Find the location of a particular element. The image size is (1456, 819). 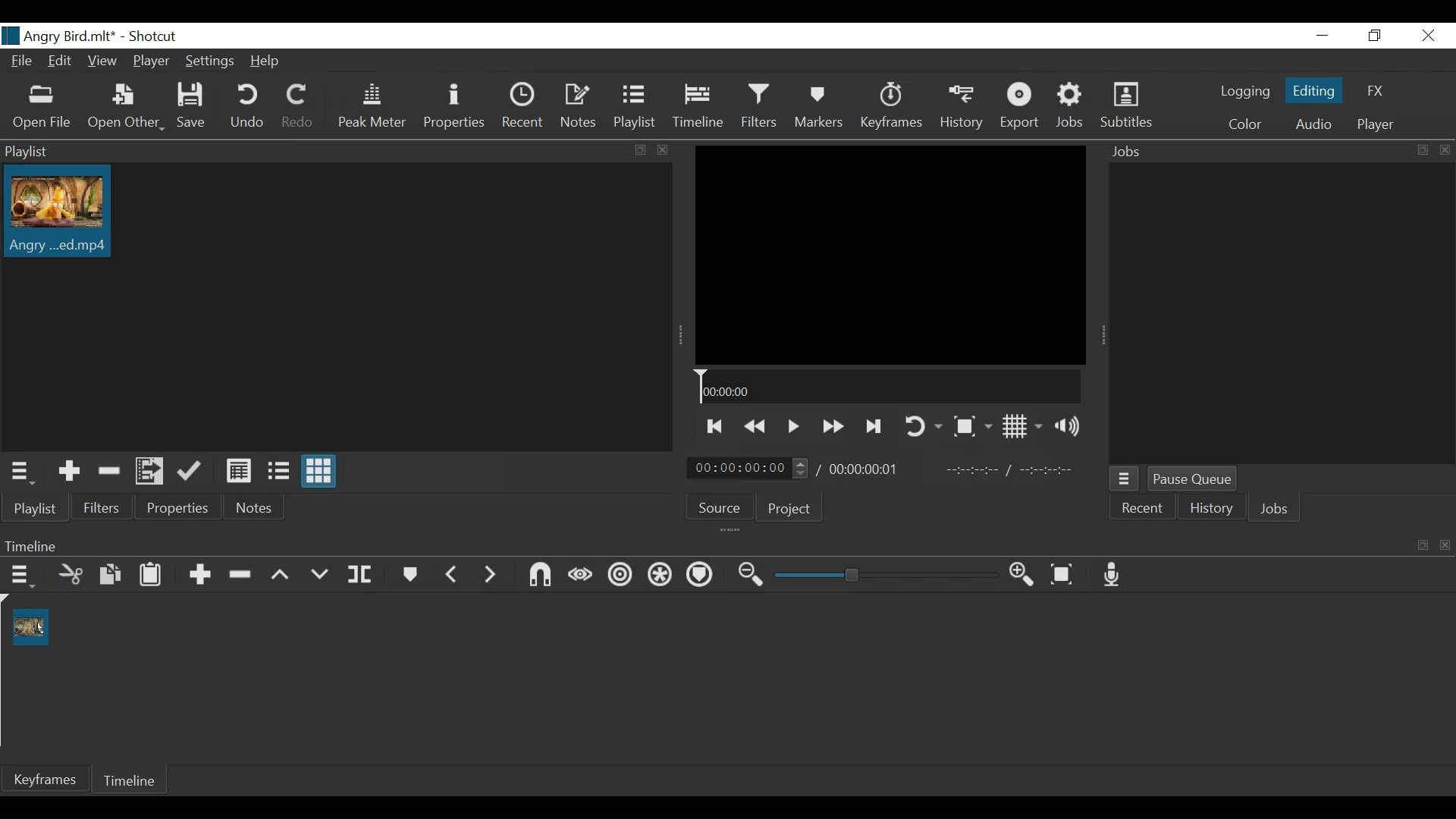

Export is located at coordinates (1021, 106).